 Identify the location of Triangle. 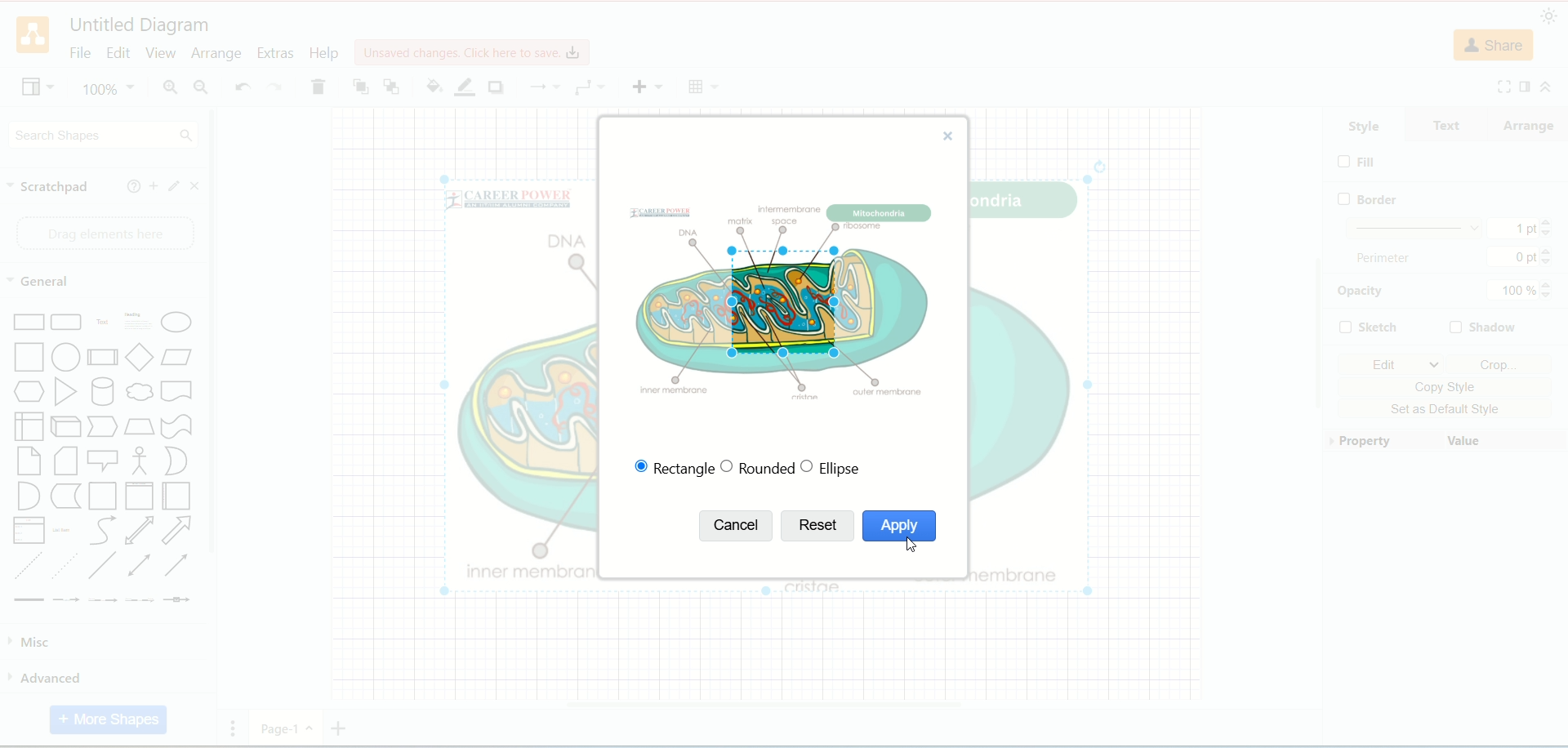
(65, 394).